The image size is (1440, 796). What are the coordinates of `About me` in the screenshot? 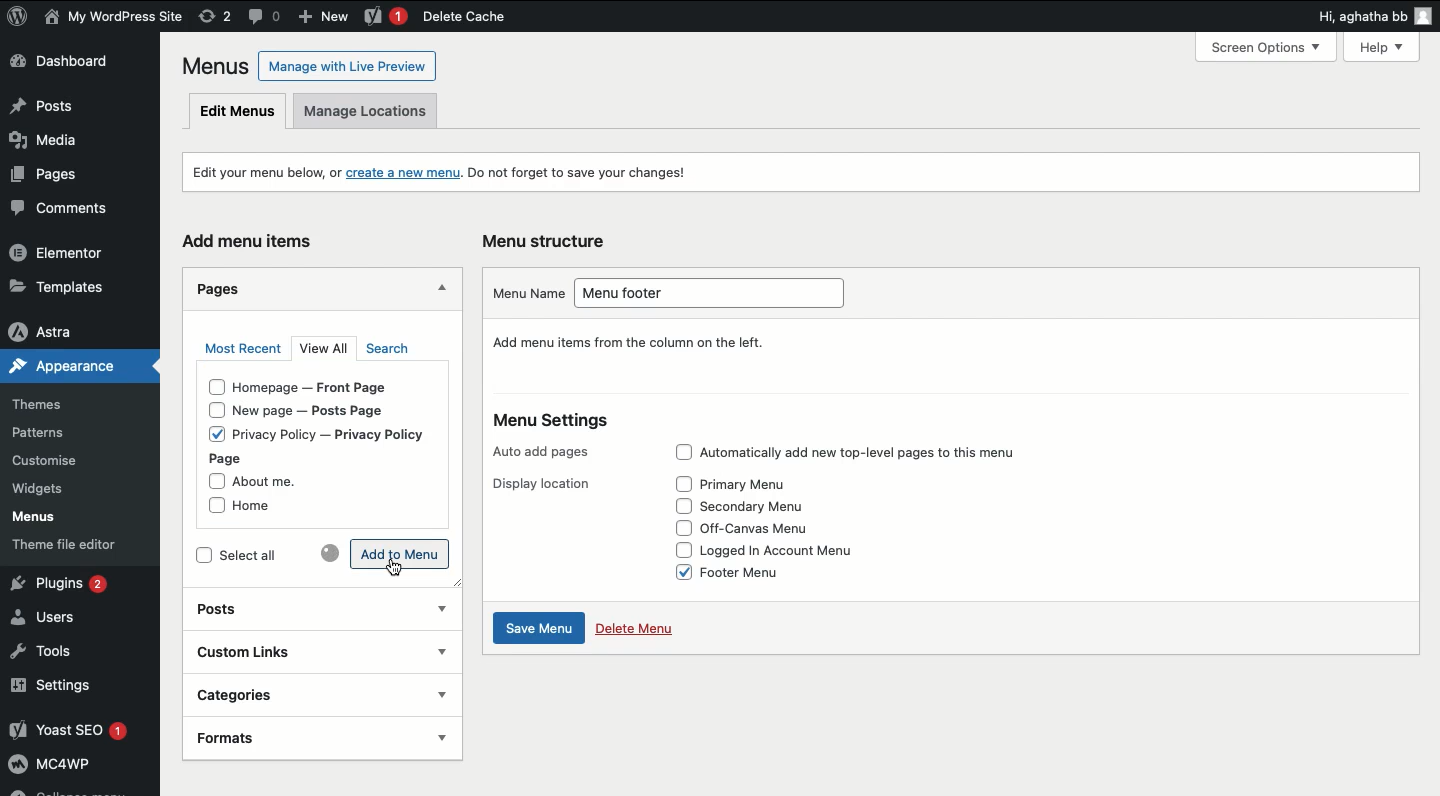 It's located at (277, 483).